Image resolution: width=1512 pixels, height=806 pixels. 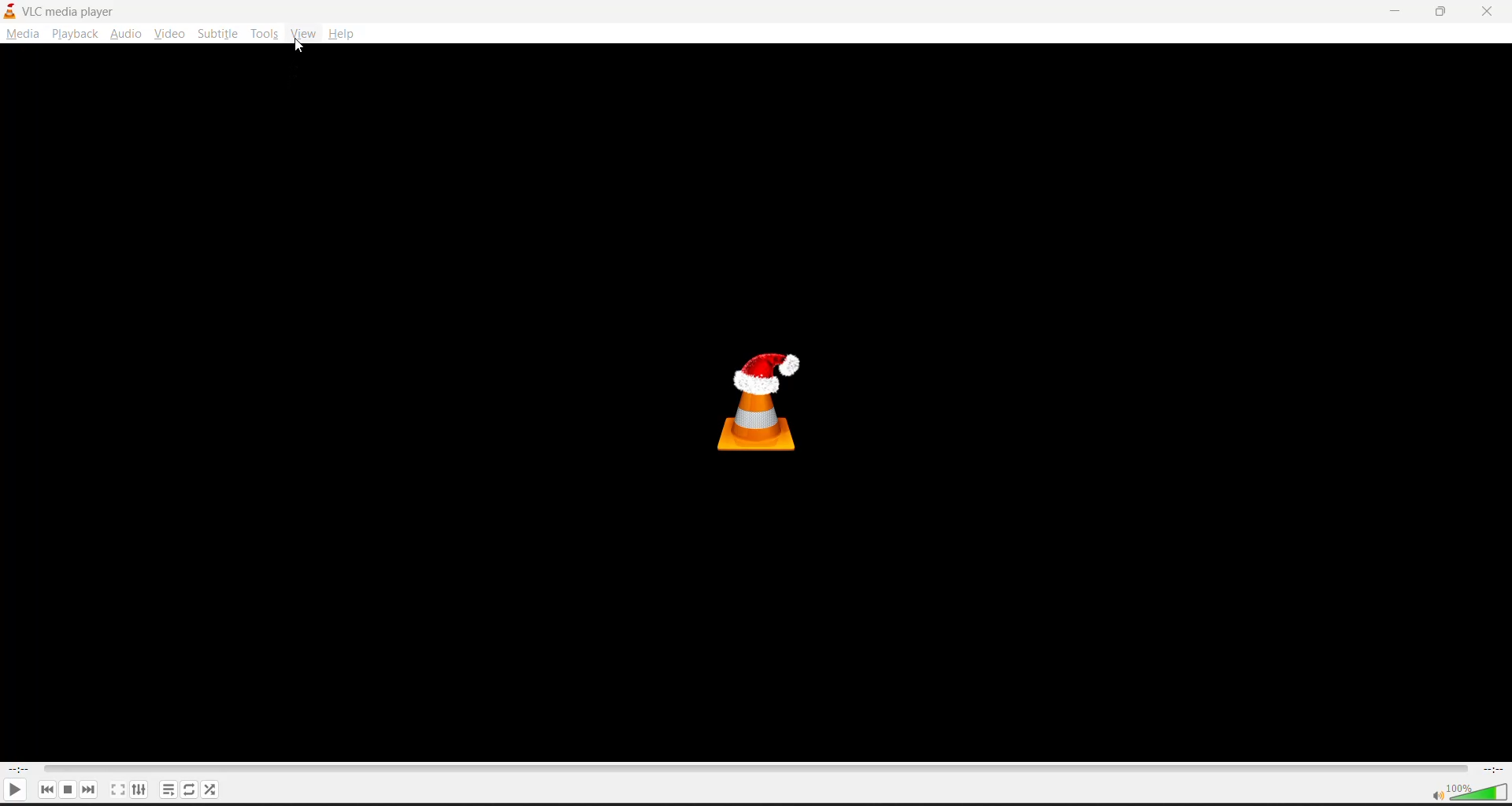 What do you see at coordinates (15, 790) in the screenshot?
I see `play` at bounding box center [15, 790].